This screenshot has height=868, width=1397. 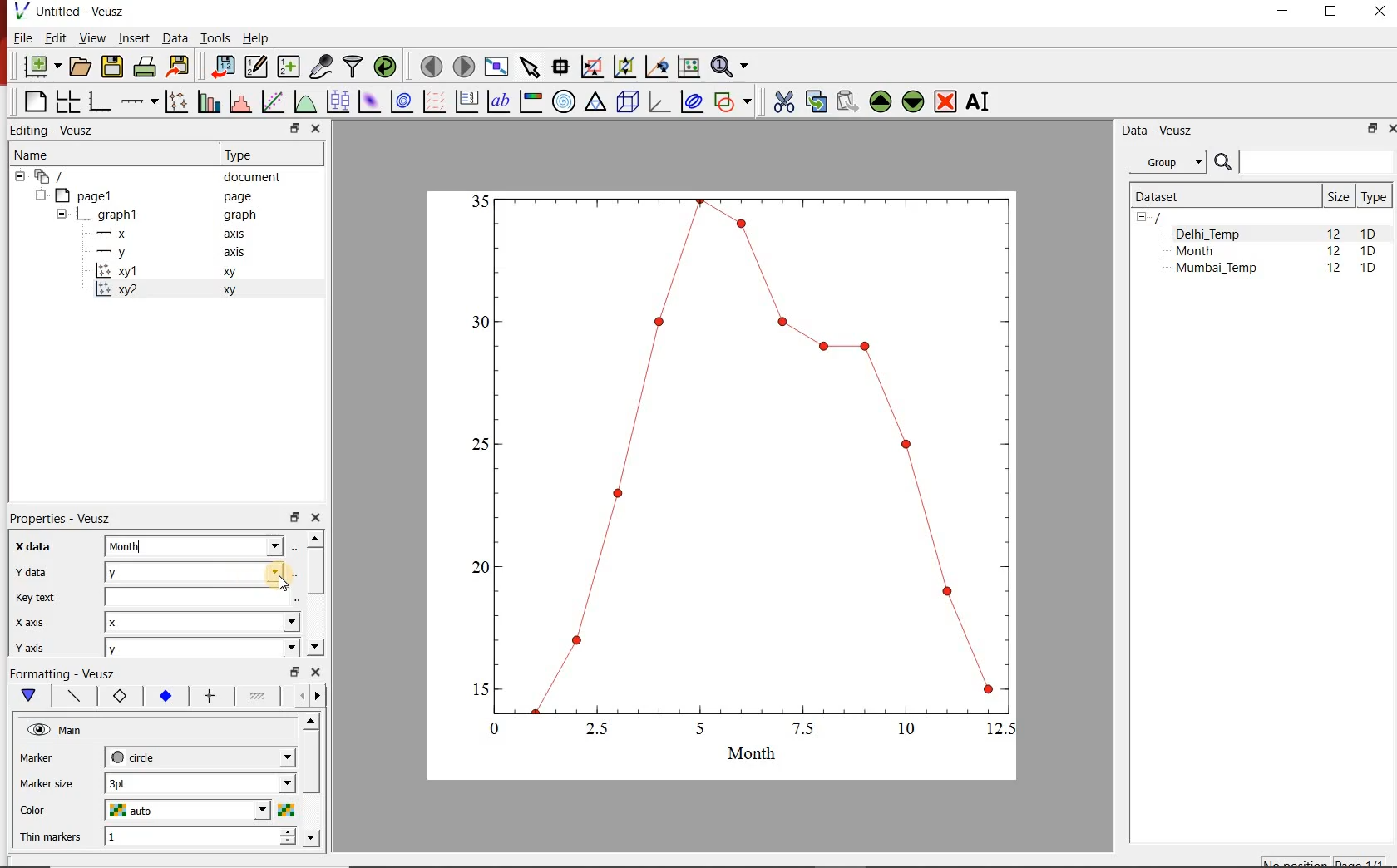 What do you see at coordinates (1373, 129) in the screenshot?
I see `RESTORE` at bounding box center [1373, 129].